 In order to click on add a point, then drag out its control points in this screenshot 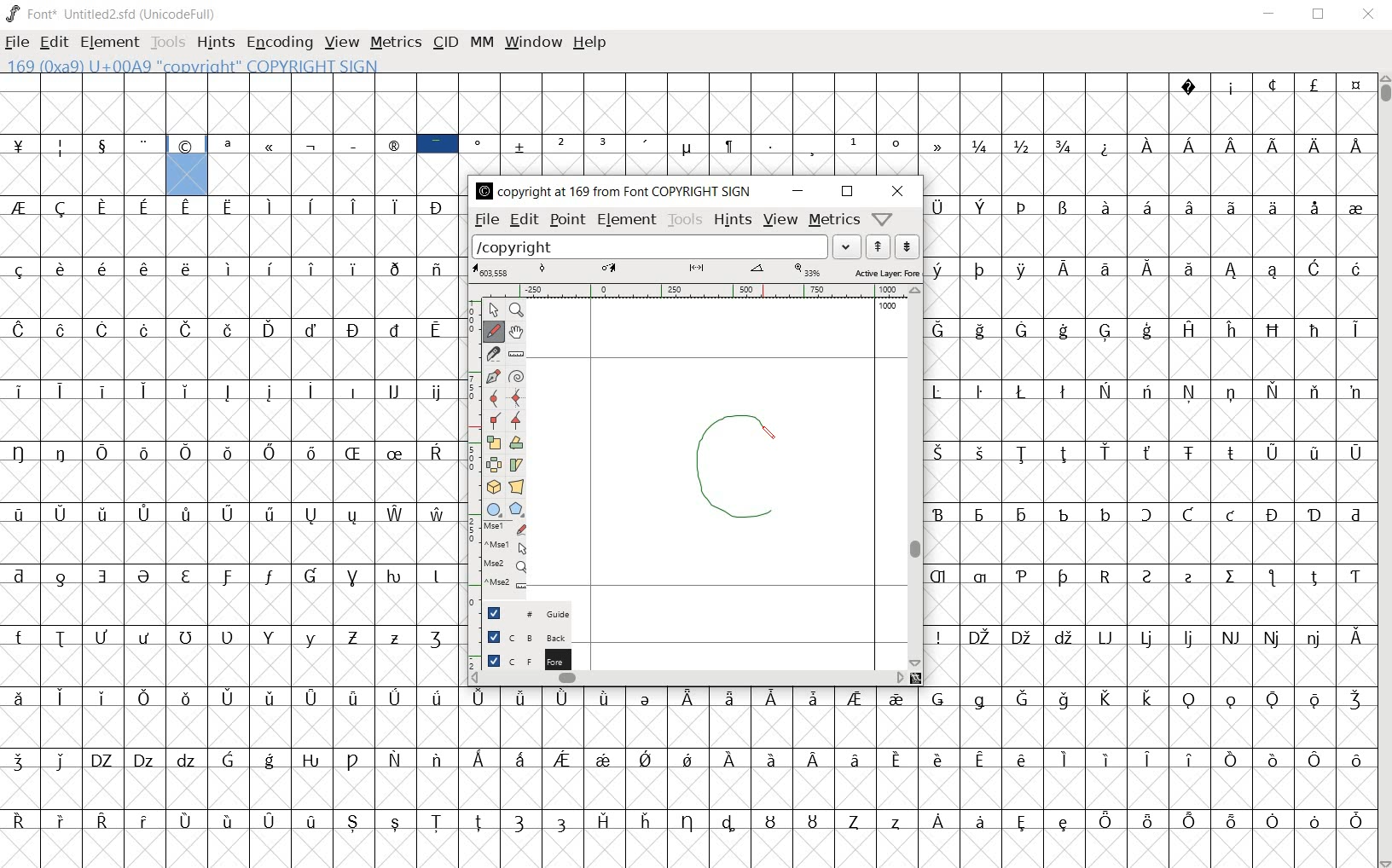, I will do `click(493, 375)`.